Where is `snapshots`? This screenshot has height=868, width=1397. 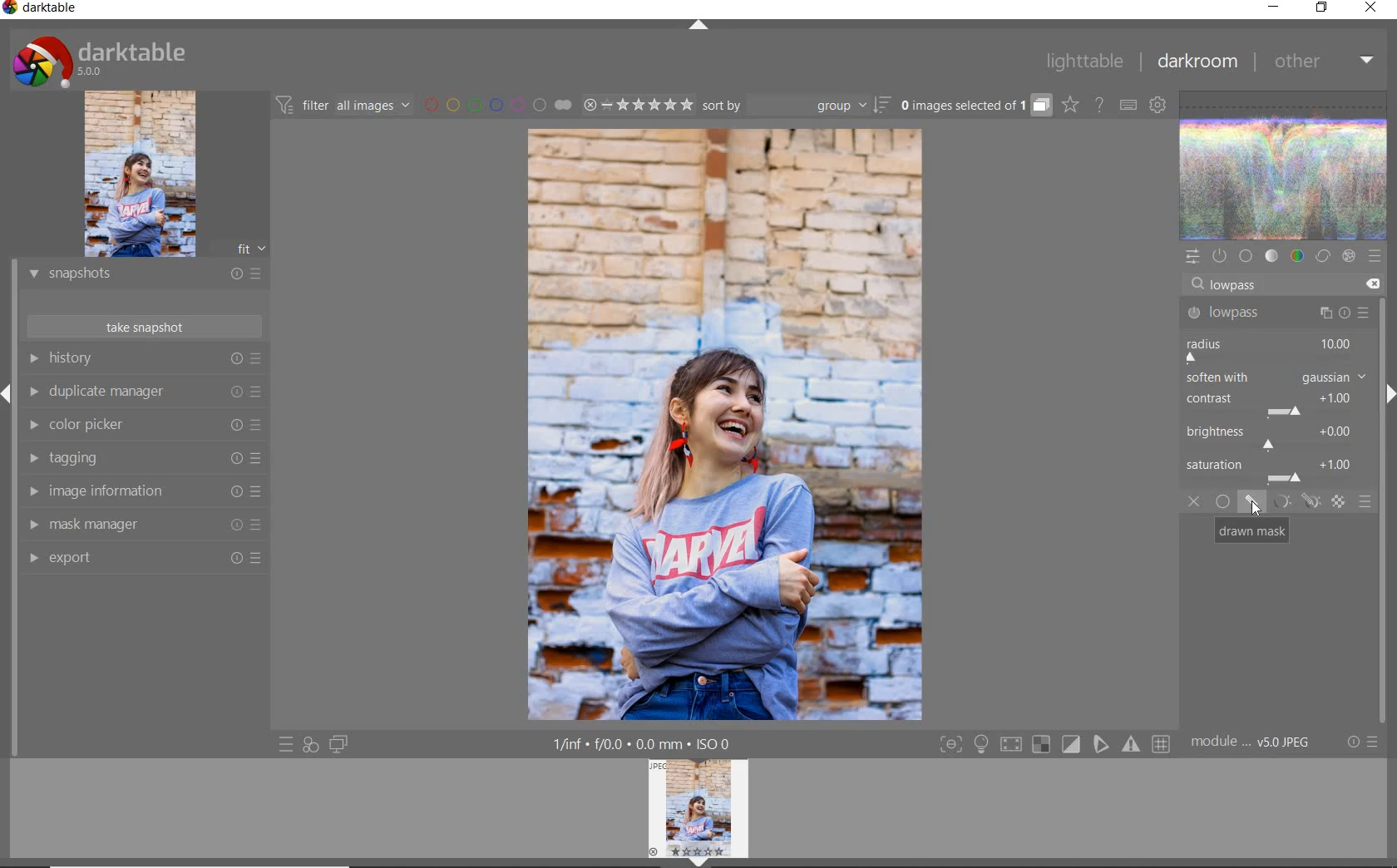 snapshots is located at coordinates (144, 277).